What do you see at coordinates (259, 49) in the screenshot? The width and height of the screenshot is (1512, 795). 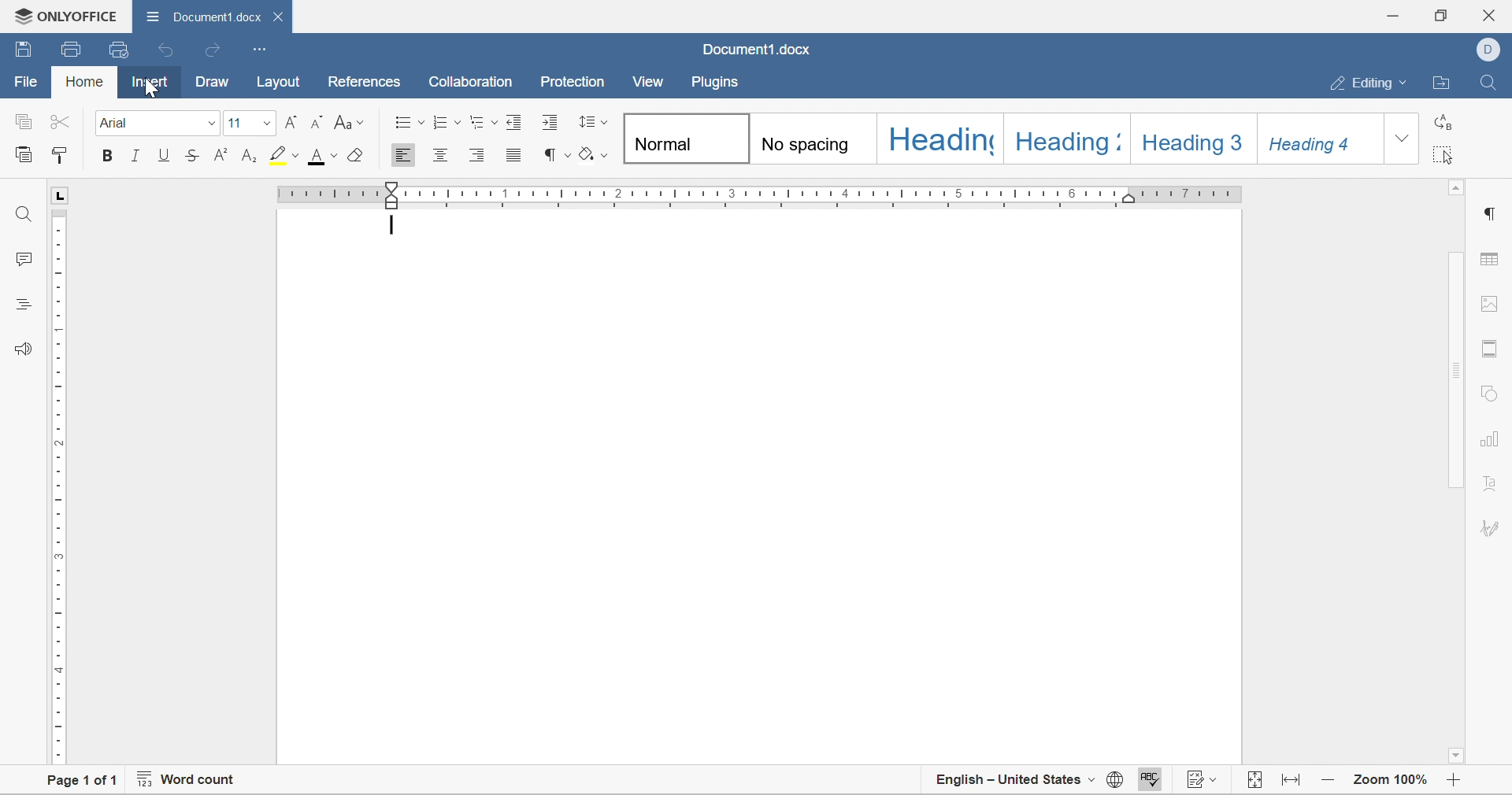 I see `Customize Quick Access Toolbar` at bounding box center [259, 49].